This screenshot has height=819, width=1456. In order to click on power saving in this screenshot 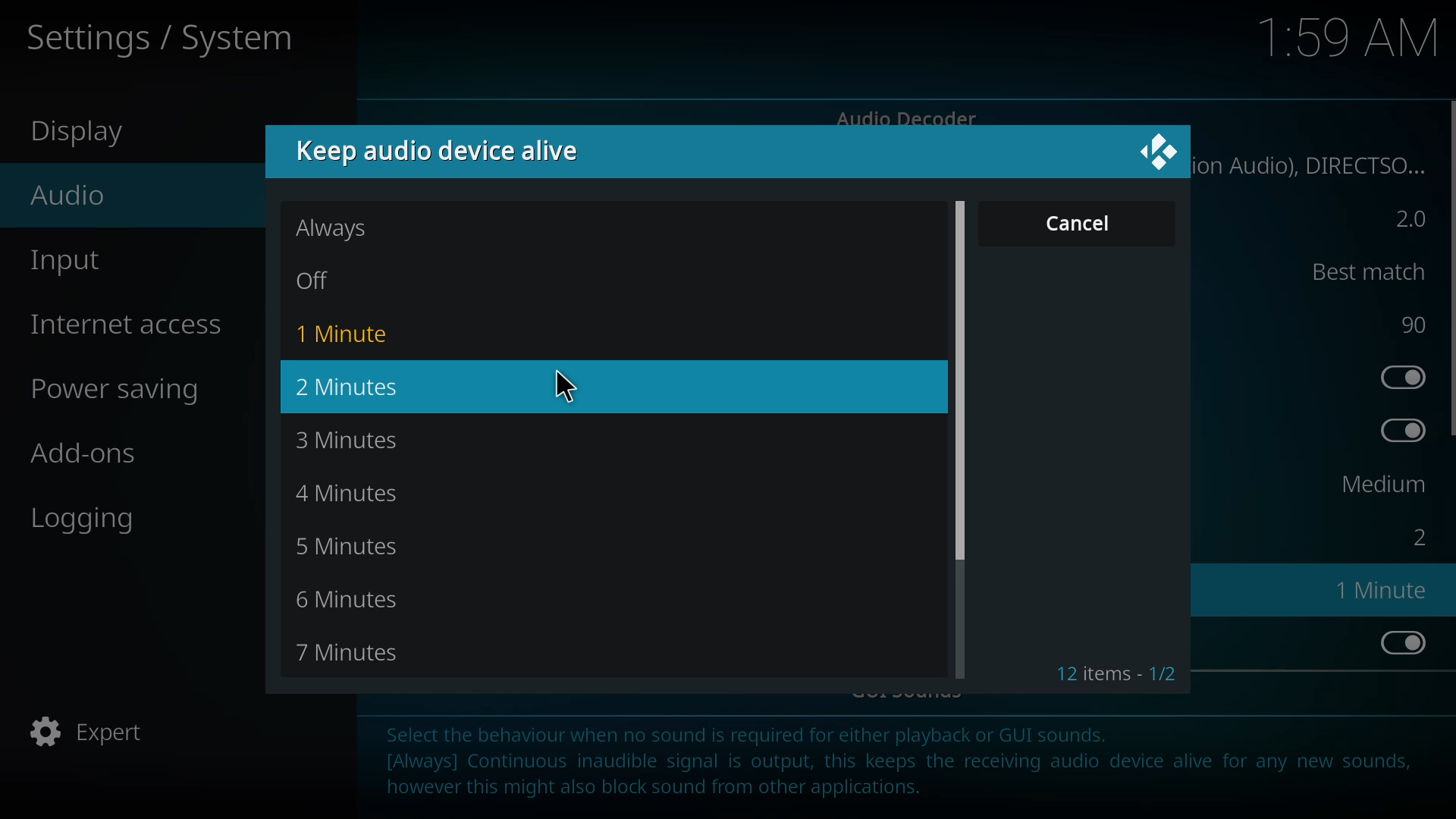, I will do `click(125, 391)`.